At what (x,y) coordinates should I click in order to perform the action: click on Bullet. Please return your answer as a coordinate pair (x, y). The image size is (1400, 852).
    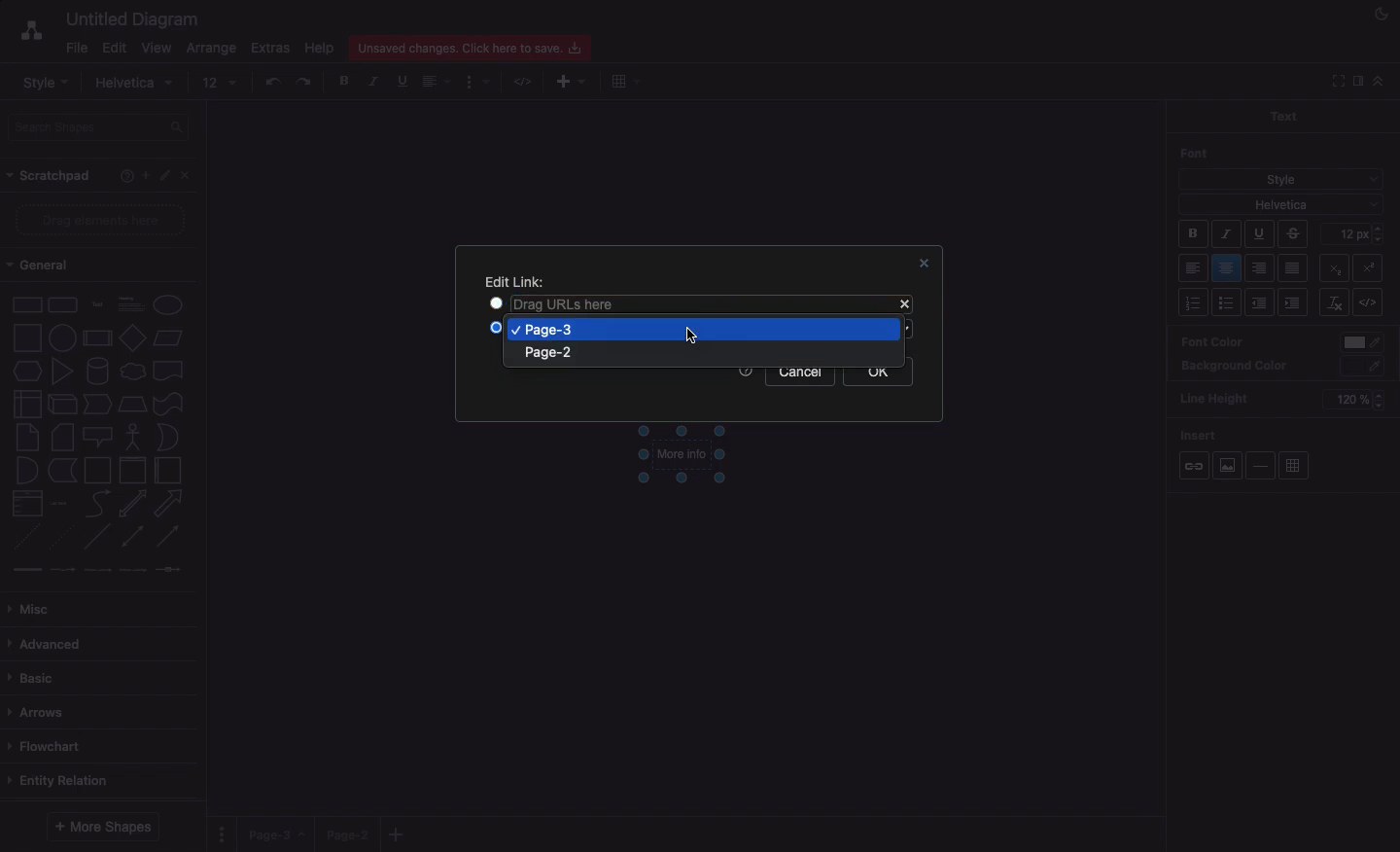
    Looking at the image, I should click on (1227, 303).